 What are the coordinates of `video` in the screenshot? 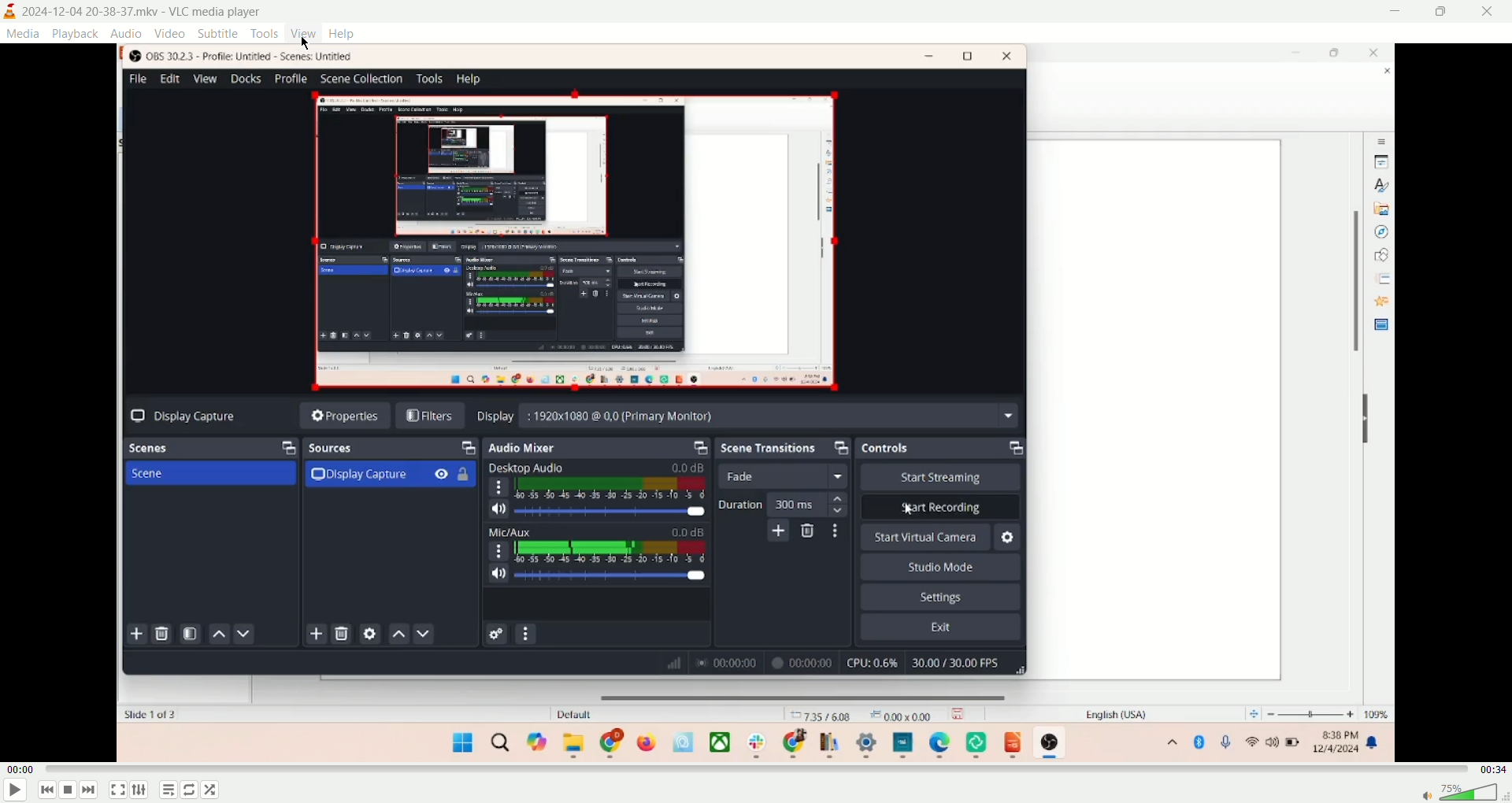 It's located at (171, 34).